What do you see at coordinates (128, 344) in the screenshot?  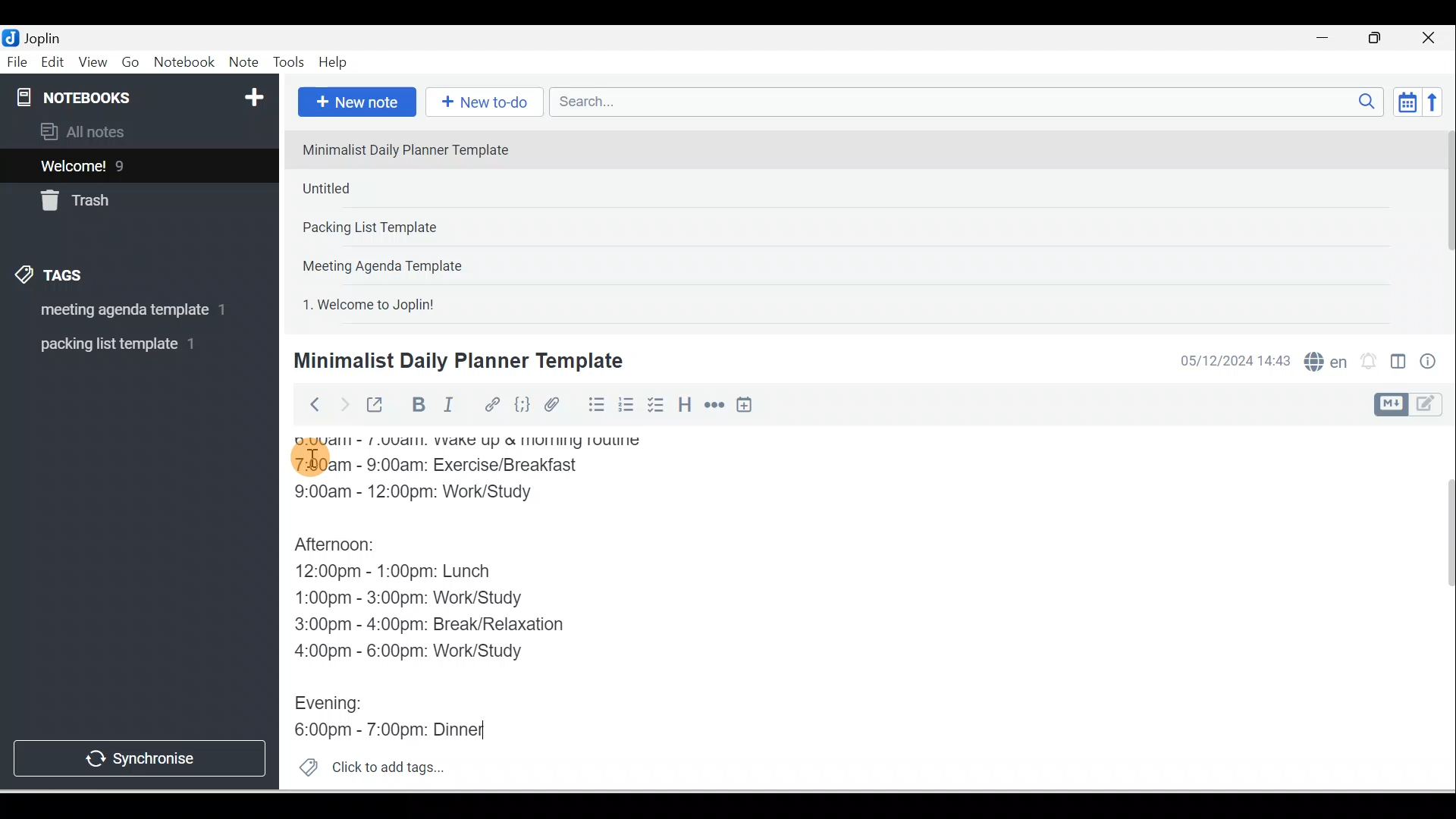 I see `Tag 2` at bounding box center [128, 344].